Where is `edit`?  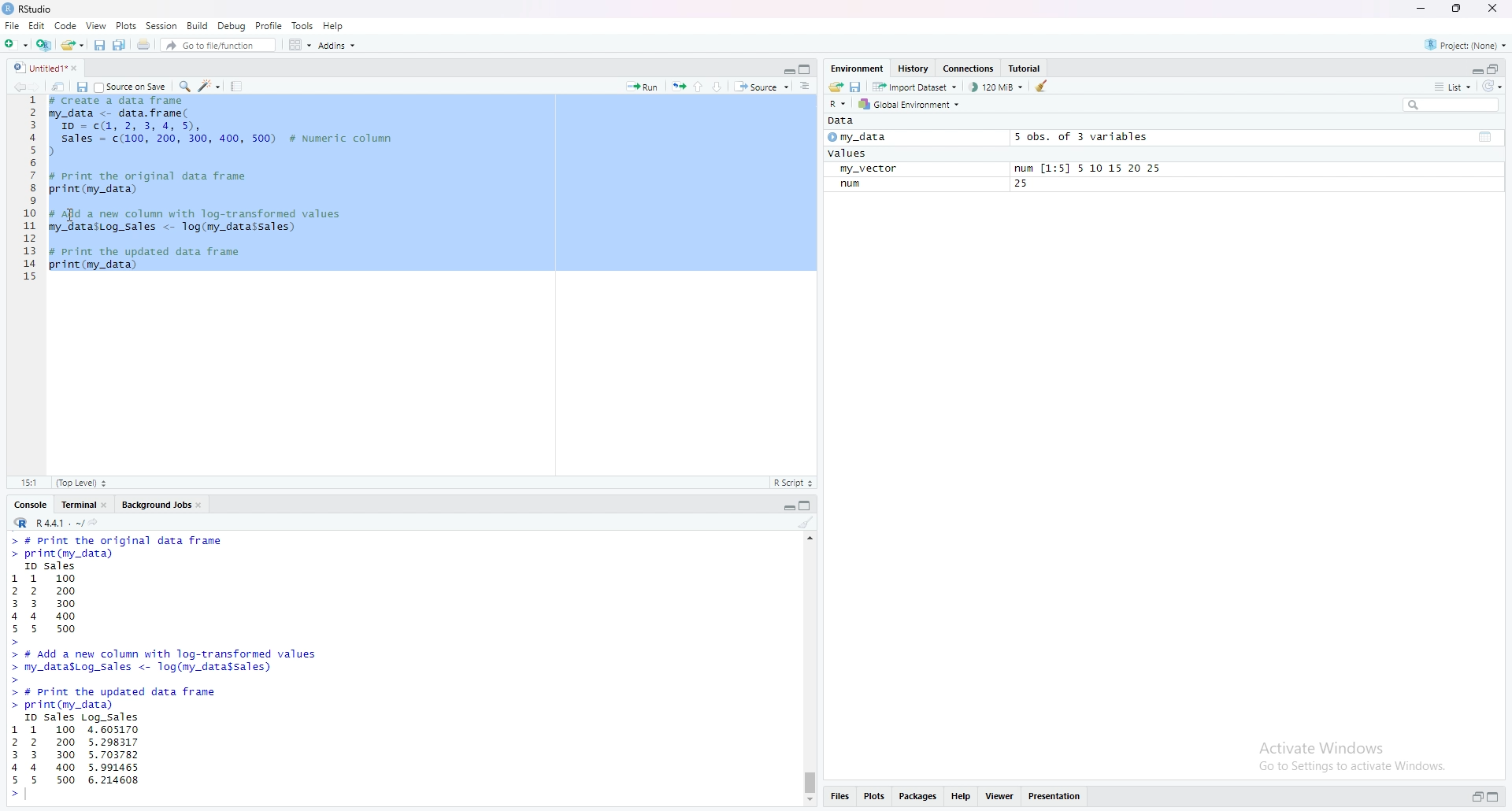 edit is located at coordinates (38, 25).